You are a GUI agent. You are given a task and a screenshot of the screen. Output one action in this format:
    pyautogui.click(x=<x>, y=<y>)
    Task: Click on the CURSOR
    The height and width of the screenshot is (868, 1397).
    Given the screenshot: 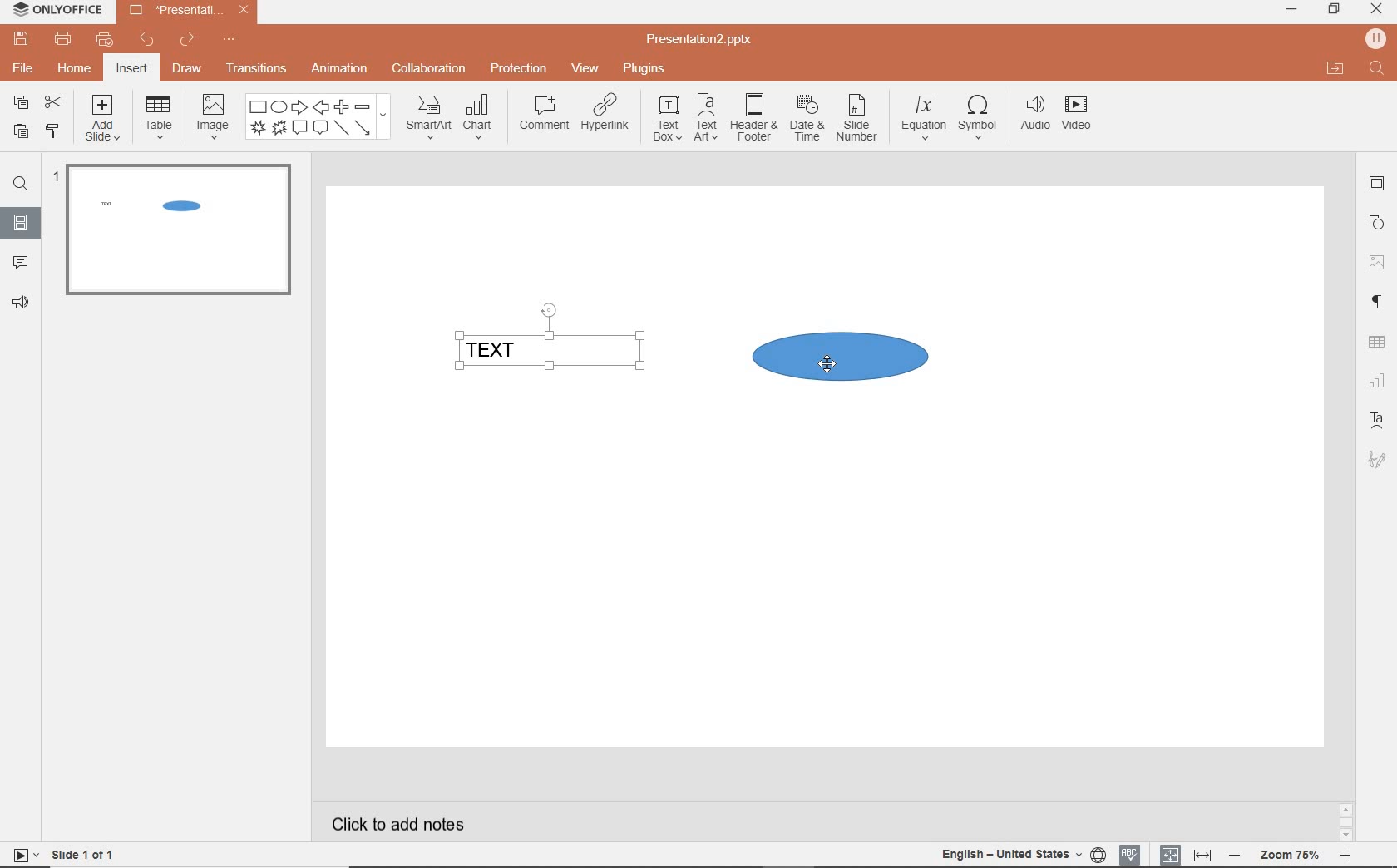 What is the action you would take?
    pyautogui.click(x=827, y=364)
    